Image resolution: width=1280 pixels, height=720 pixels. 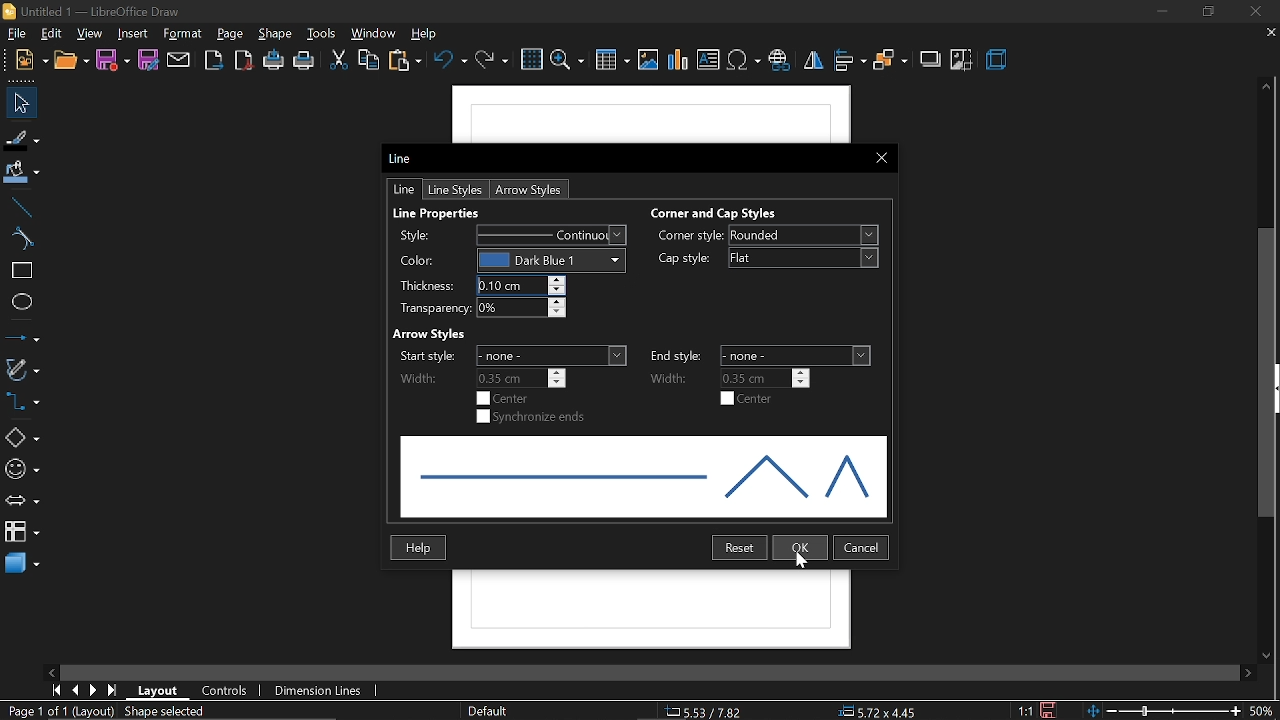 I want to click on undo, so click(x=452, y=64).